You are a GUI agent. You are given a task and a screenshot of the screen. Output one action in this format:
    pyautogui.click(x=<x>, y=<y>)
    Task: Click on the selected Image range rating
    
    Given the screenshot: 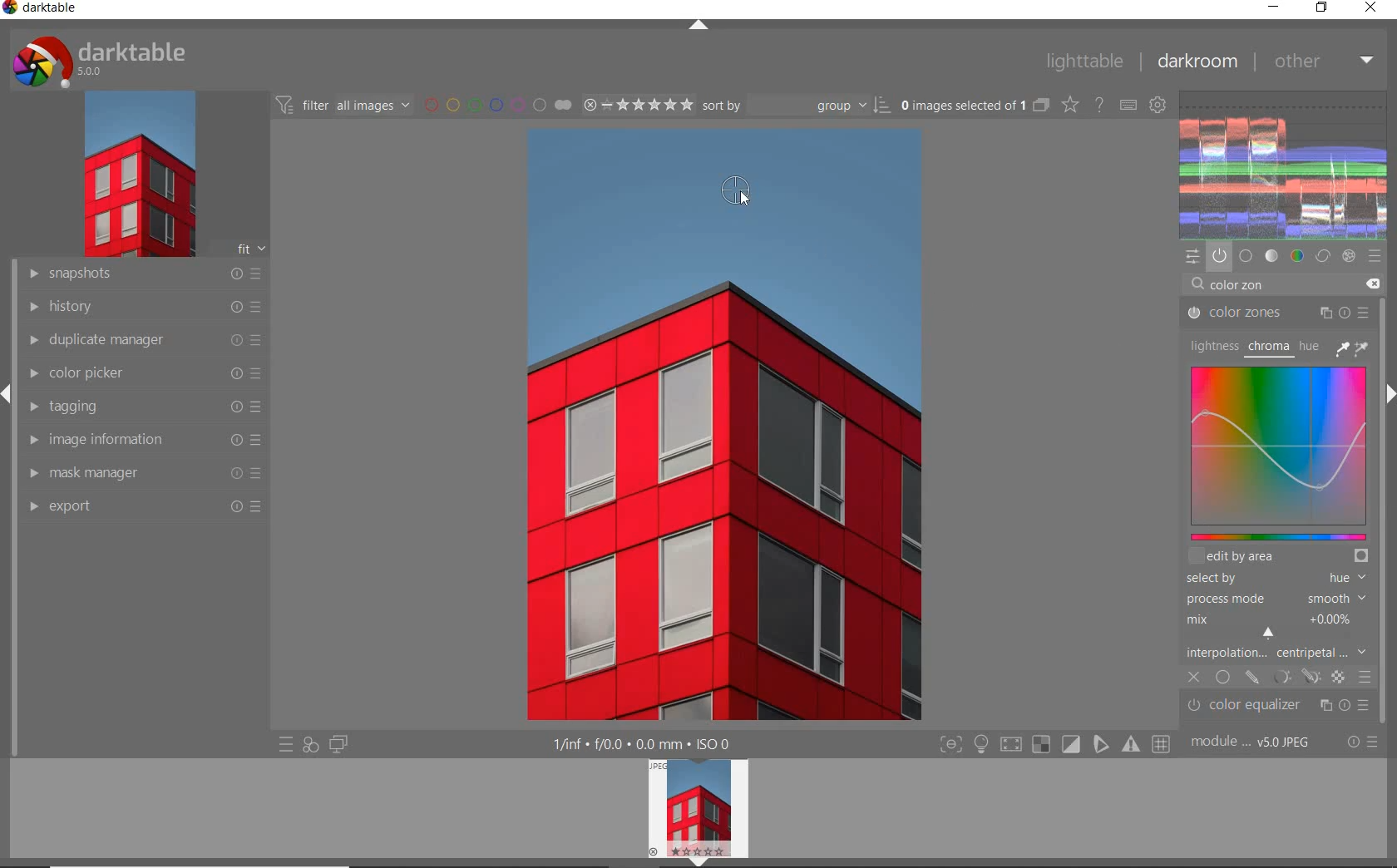 What is the action you would take?
    pyautogui.click(x=639, y=104)
    